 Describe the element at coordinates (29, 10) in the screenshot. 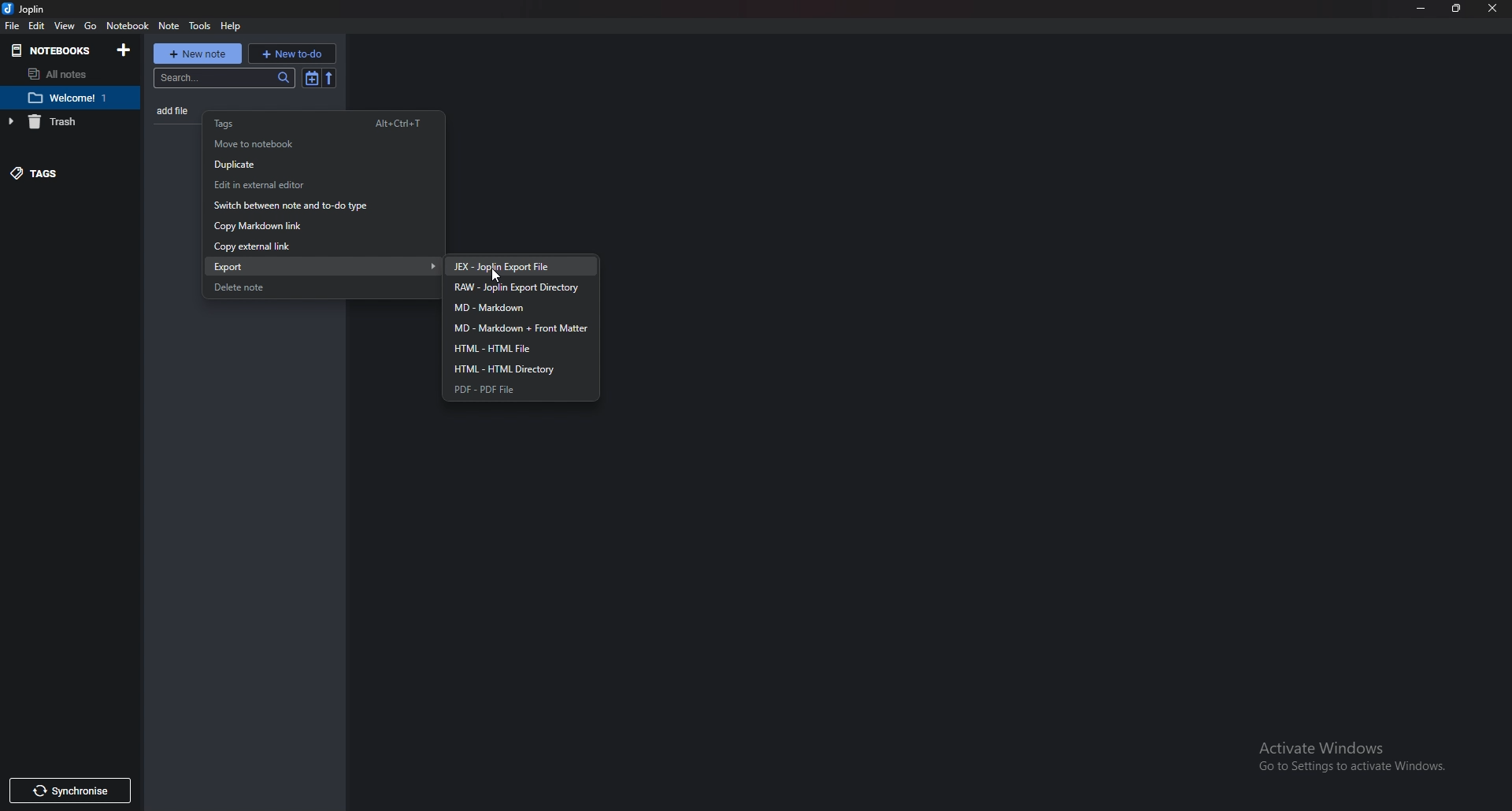

I see `joplin` at that location.